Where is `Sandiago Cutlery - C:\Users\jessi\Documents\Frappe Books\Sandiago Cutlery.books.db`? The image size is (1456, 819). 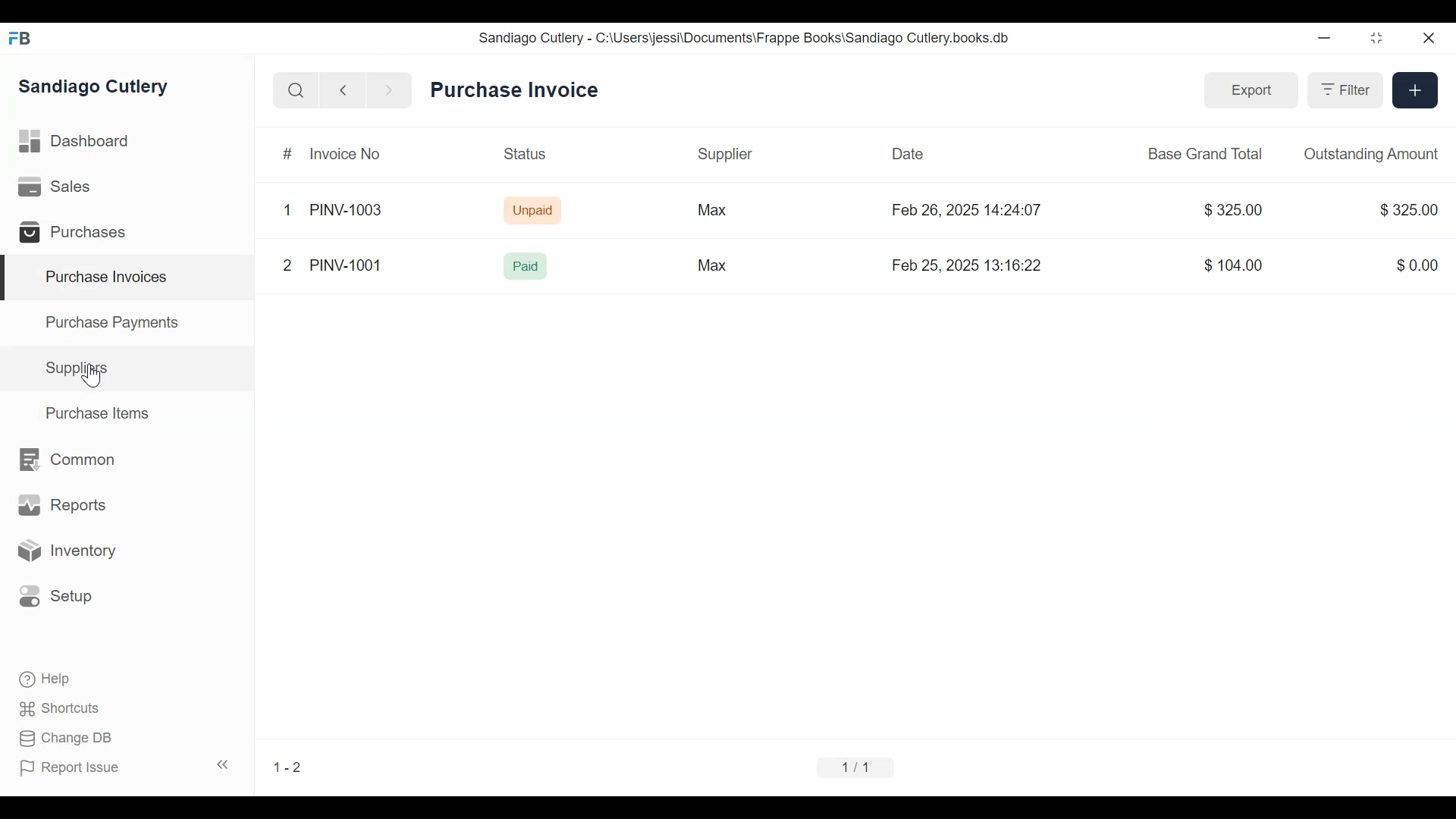 Sandiago Cutlery - C:\Users\jessi\Documents\Frappe Books\Sandiago Cutlery.books.db is located at coordinates (758, 39).